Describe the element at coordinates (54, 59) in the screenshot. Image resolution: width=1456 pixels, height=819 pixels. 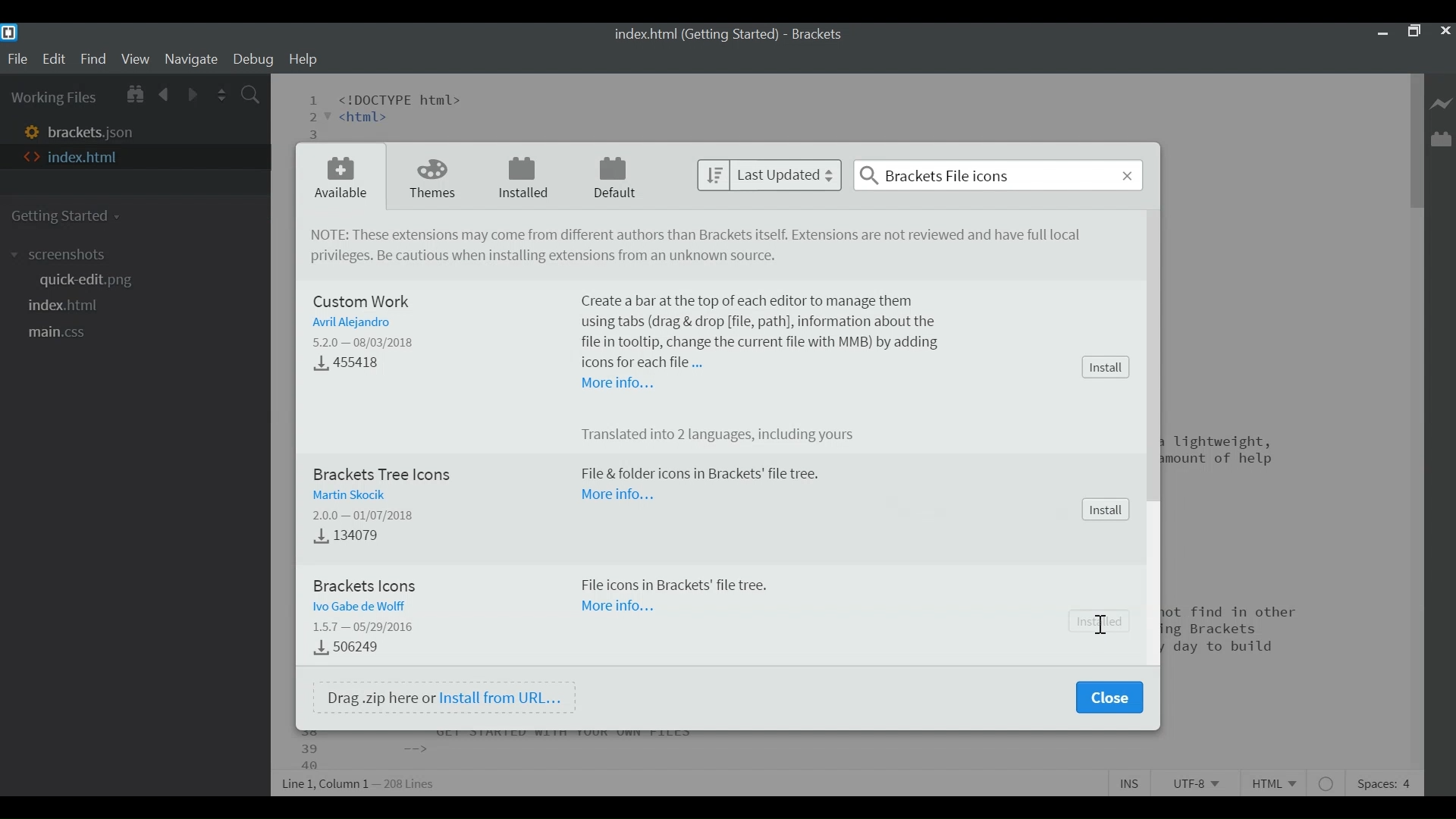
I see `Edit` at that location.